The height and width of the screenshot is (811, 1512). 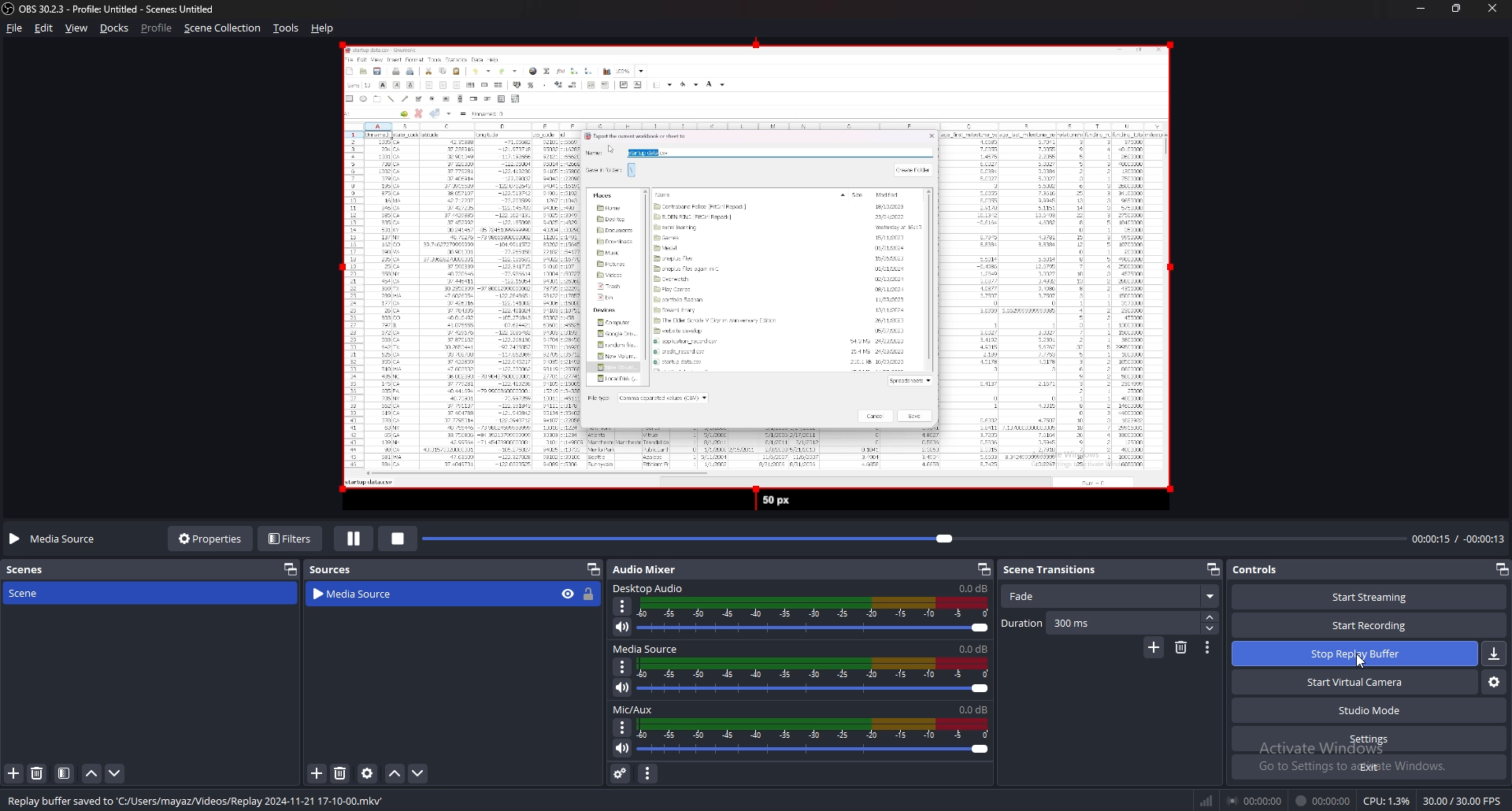 What do you see at coordinates (14, 774) in the screenshot?
I see `add scene` at bounding box center [14, 774].